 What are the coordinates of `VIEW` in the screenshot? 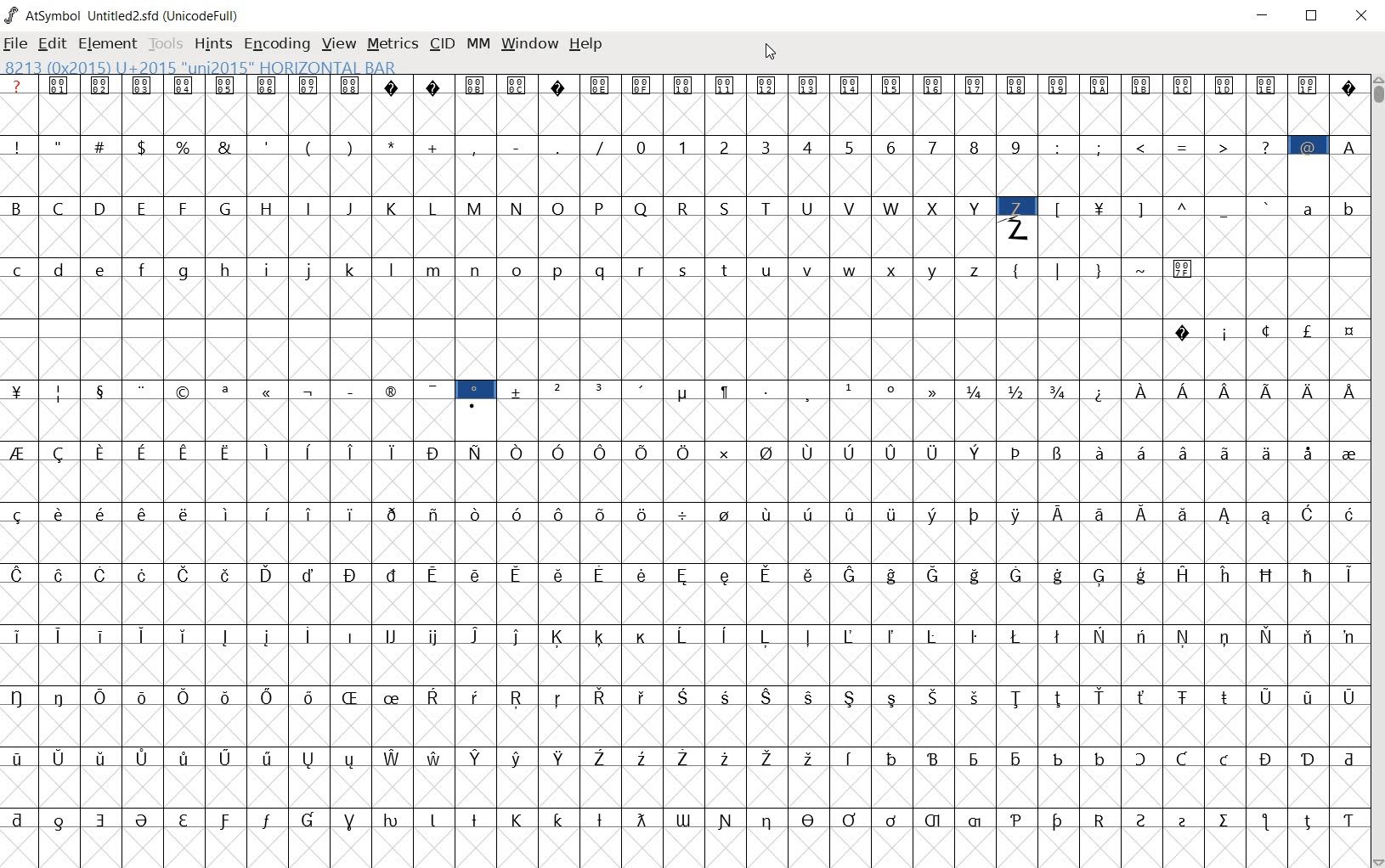 It's located at (339, 45).